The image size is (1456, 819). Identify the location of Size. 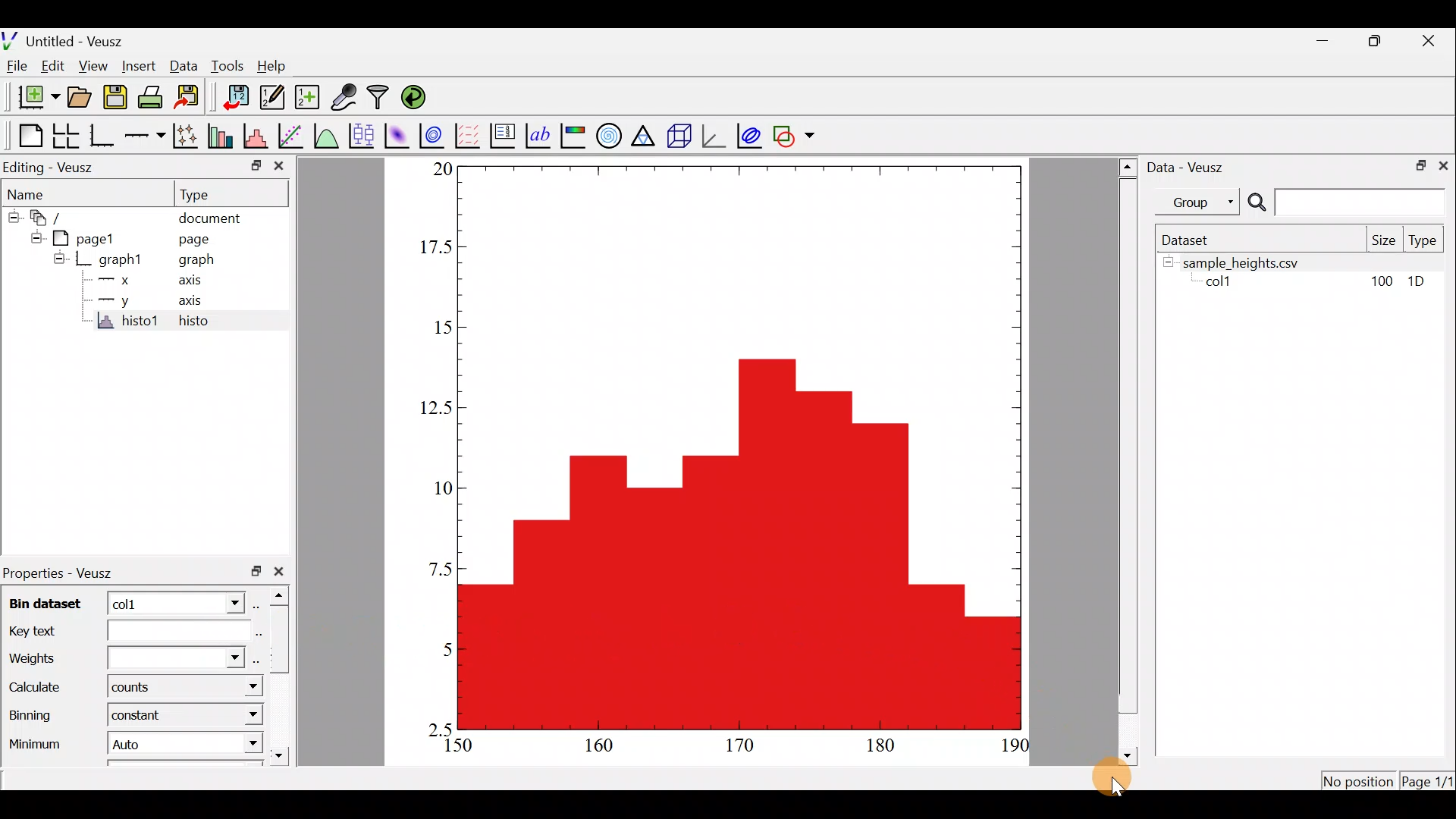
(1382, 240).